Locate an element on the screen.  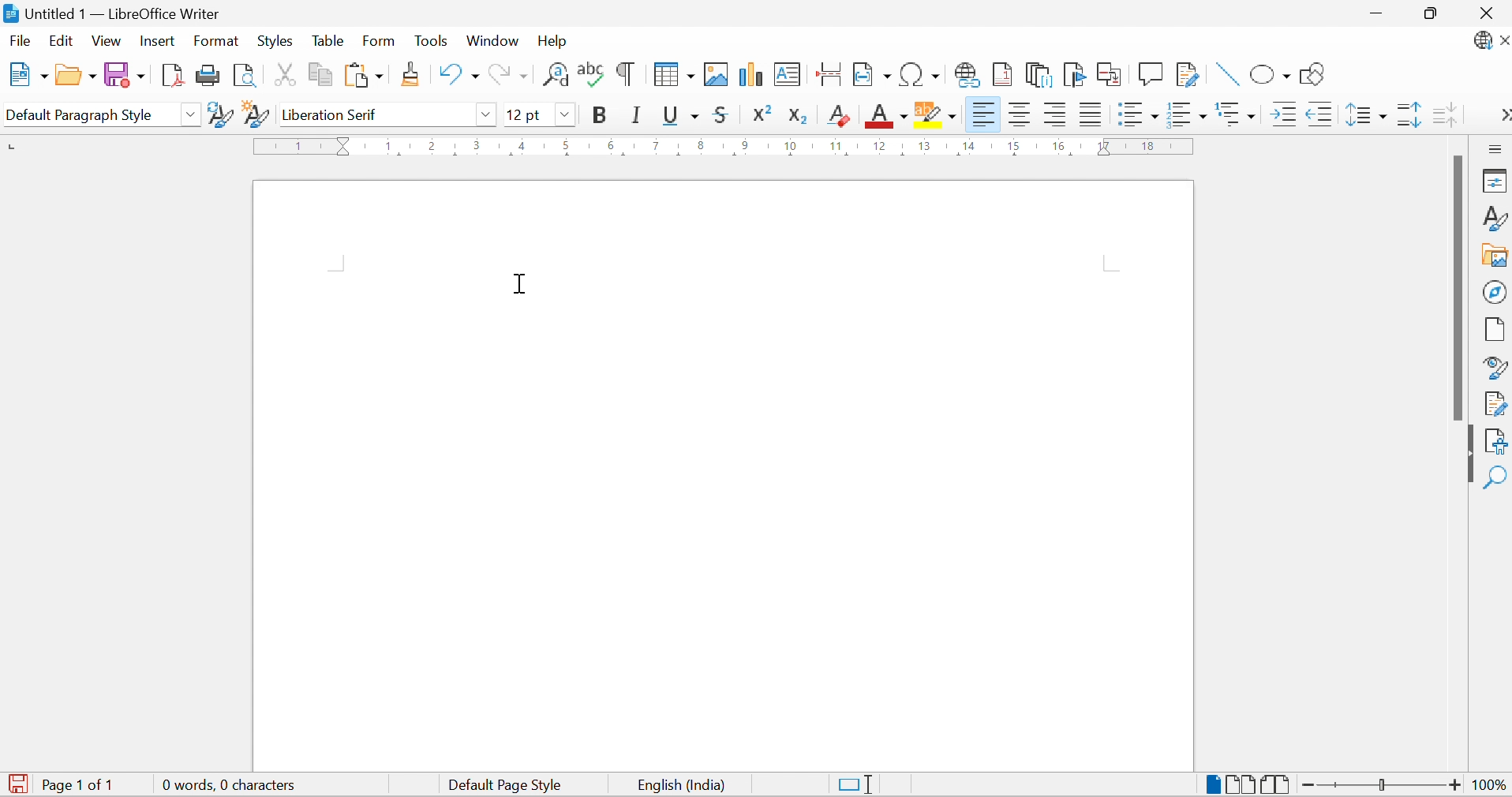
New is located at coordinates (25, 73).